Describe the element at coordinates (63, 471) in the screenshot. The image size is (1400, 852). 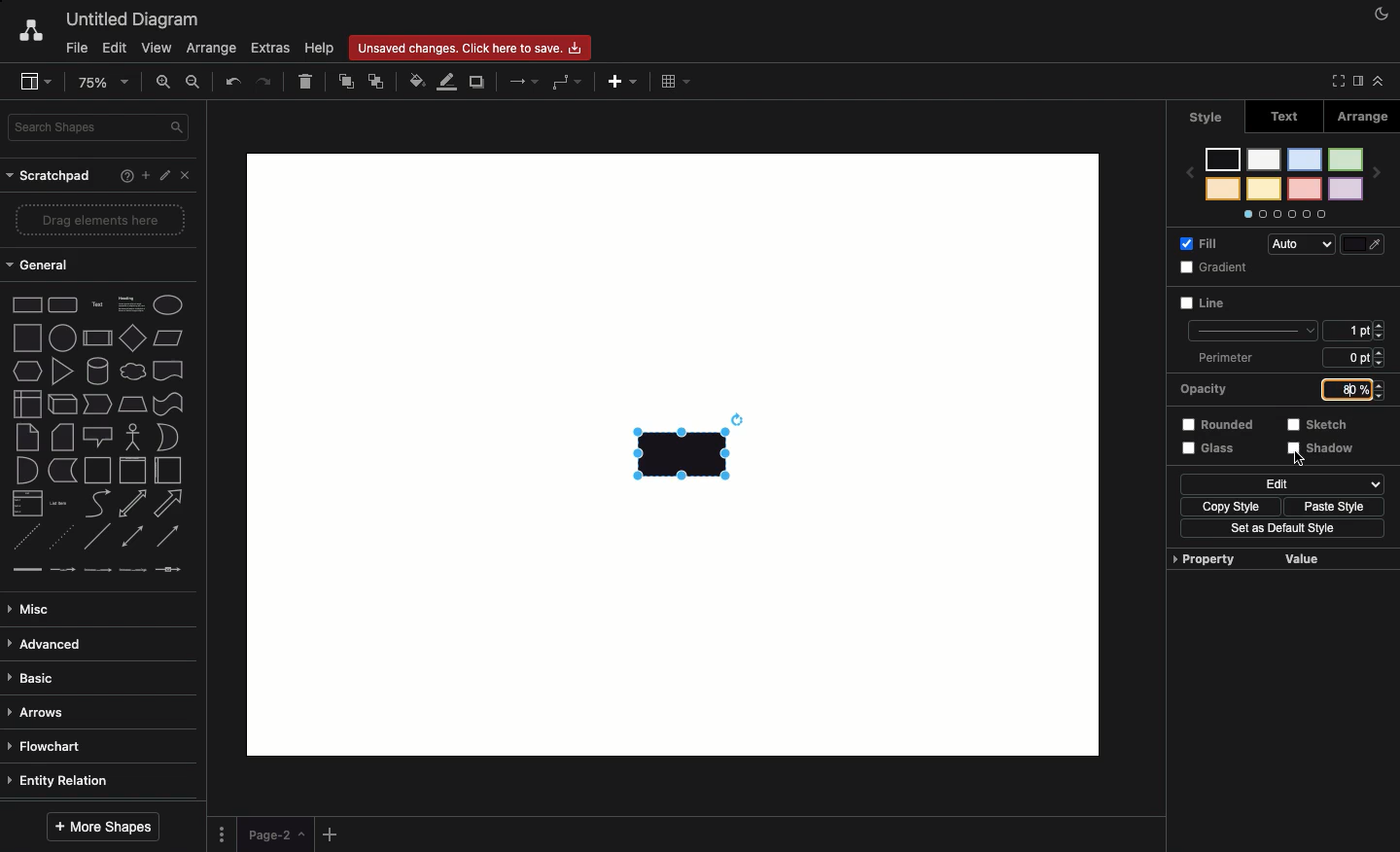
I see `data storage` at that location.